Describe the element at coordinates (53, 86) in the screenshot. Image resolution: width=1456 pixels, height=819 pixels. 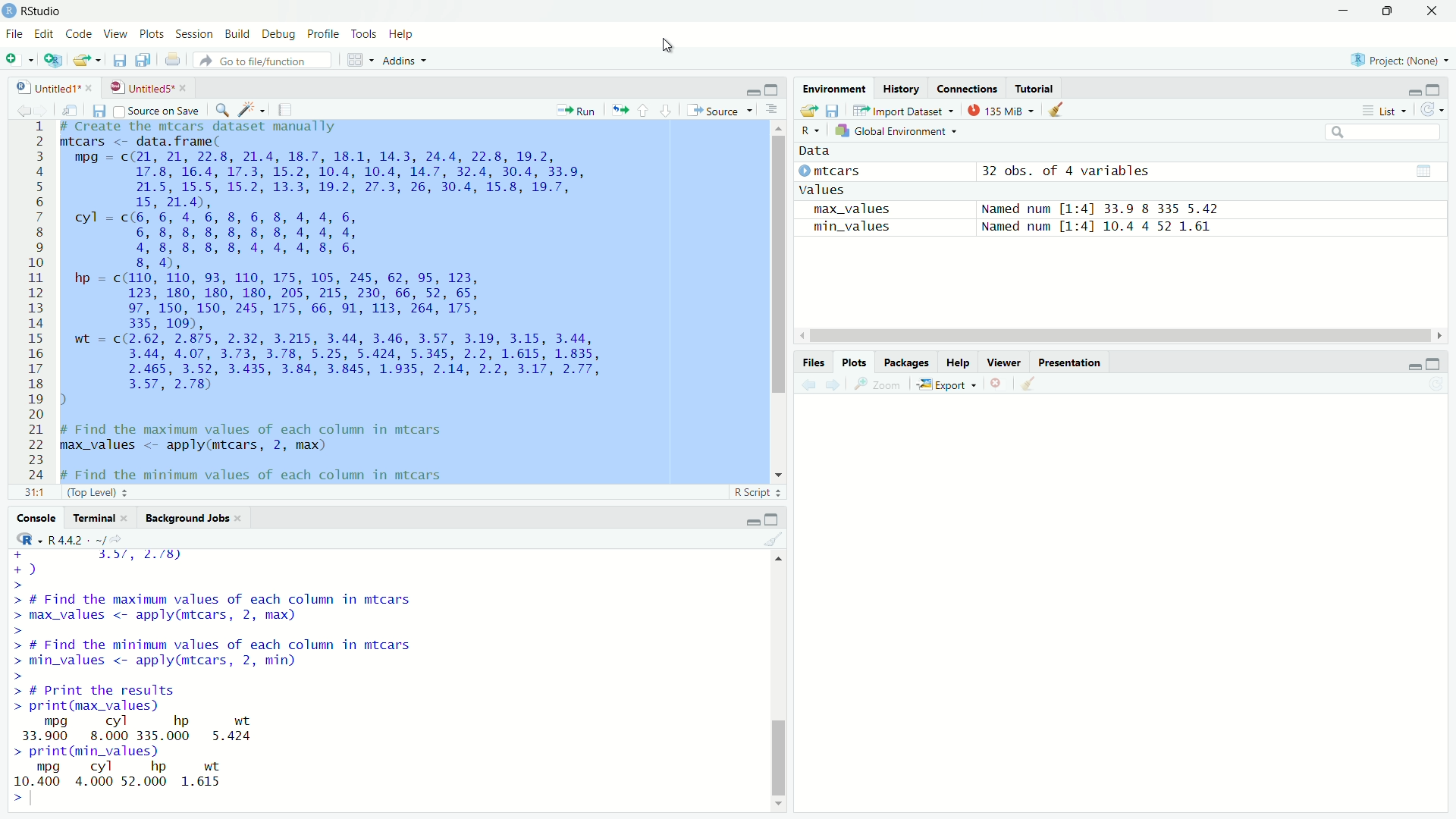
I see `) | Untitled1*` at that location.